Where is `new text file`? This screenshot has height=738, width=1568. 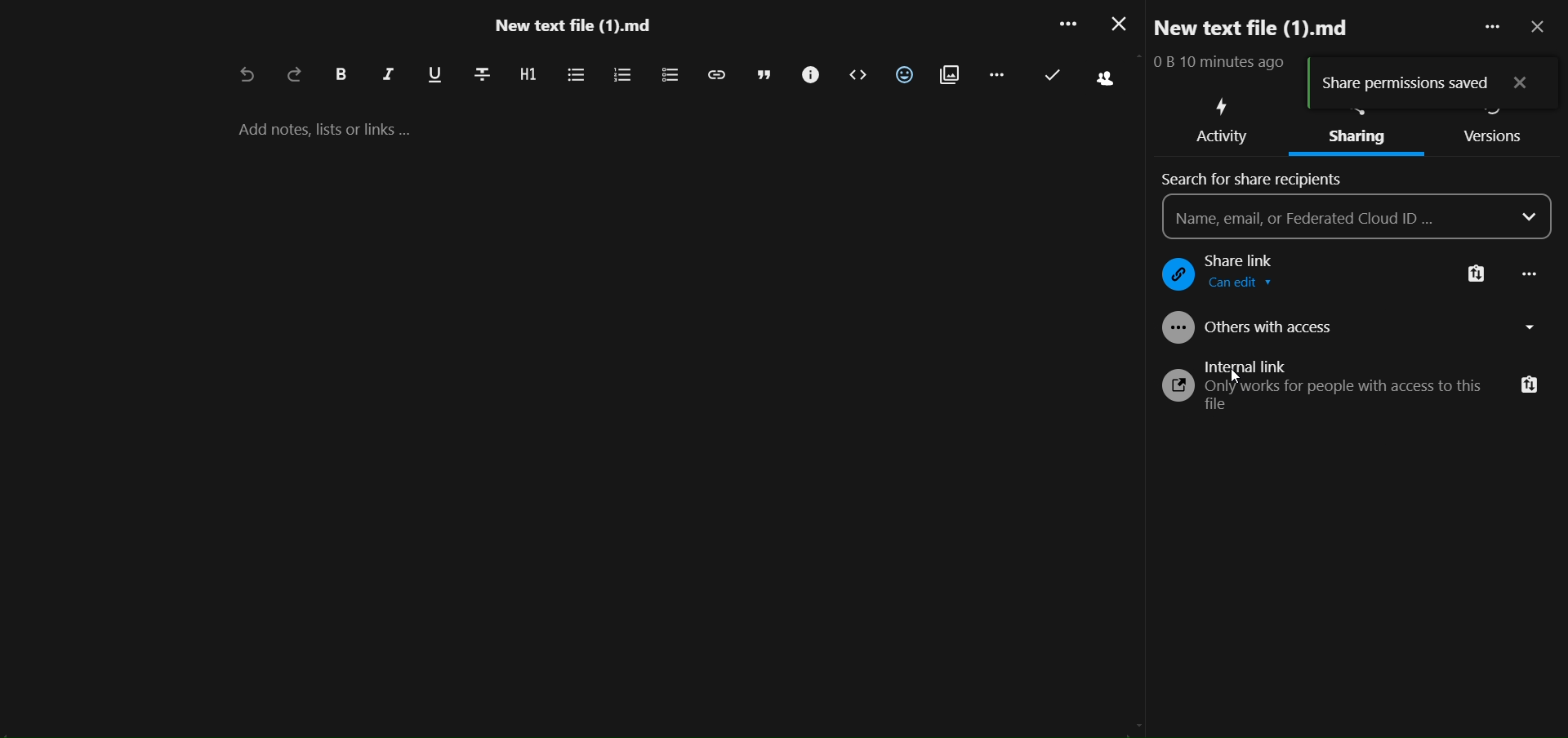
new text file is located at coordinates (1270, 27).